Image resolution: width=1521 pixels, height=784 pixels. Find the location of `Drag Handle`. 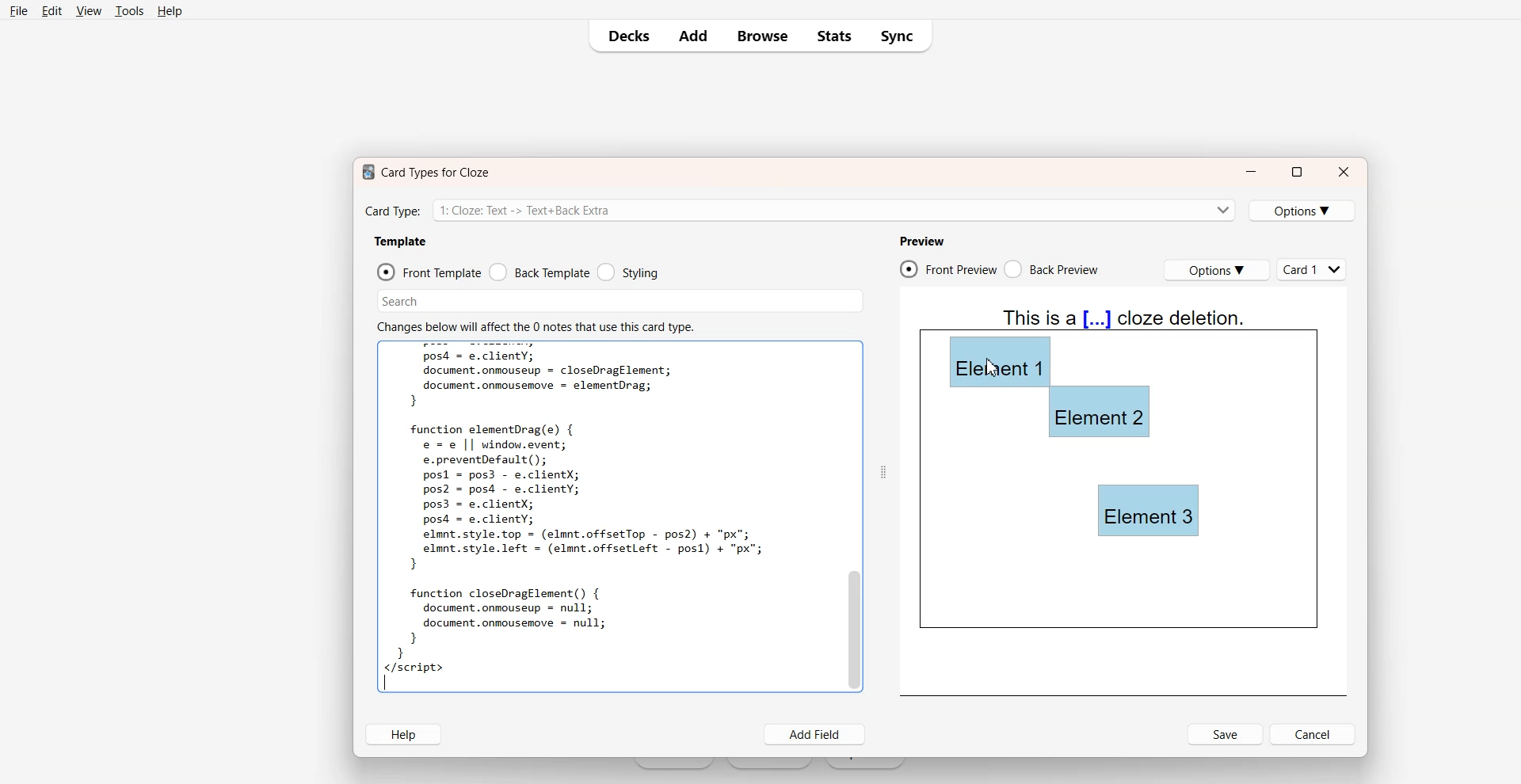

Drag Handle is located at coordinates (882, 471).